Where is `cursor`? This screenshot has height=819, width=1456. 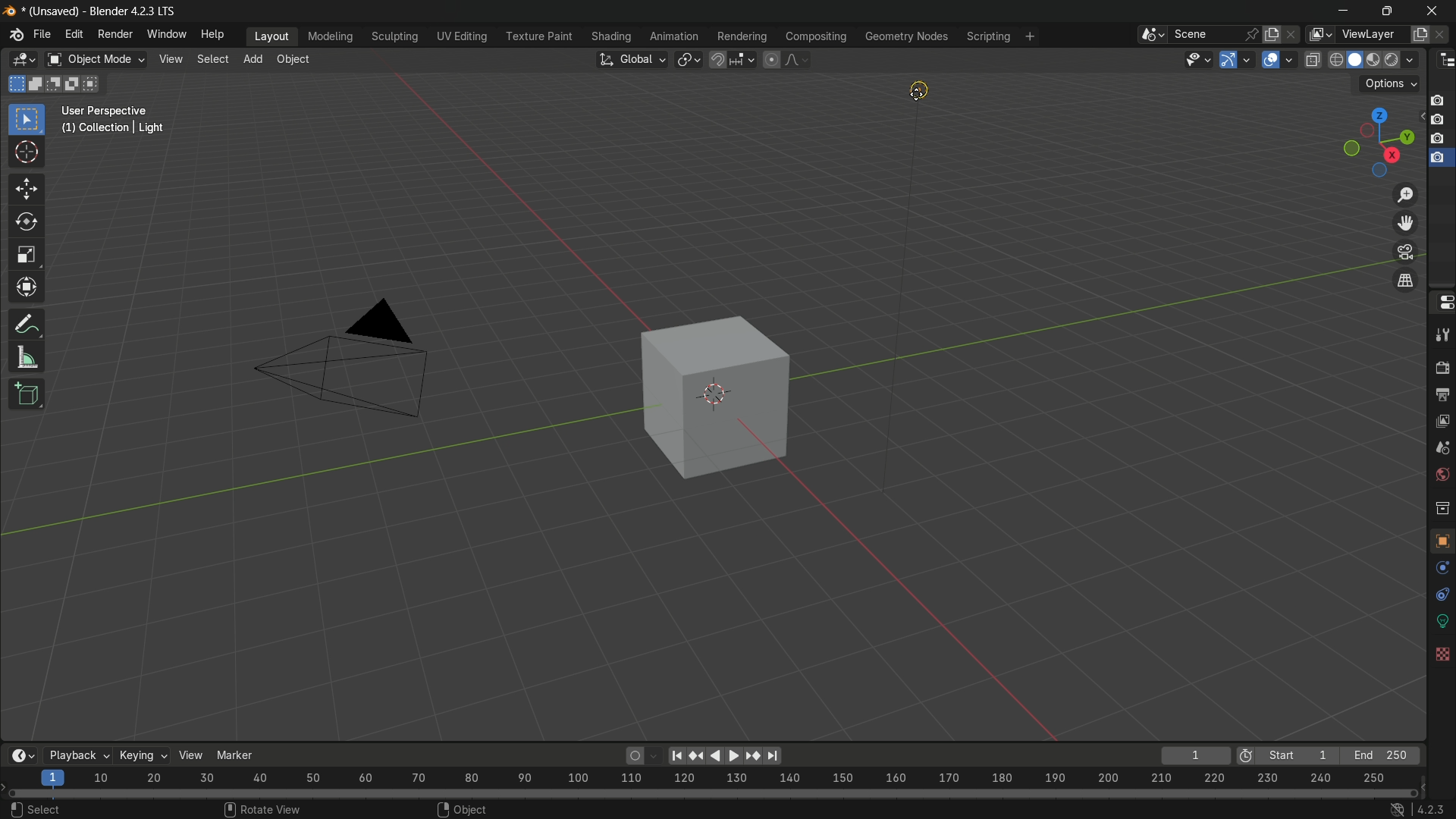
cursor is located at coordinates (915, 96).